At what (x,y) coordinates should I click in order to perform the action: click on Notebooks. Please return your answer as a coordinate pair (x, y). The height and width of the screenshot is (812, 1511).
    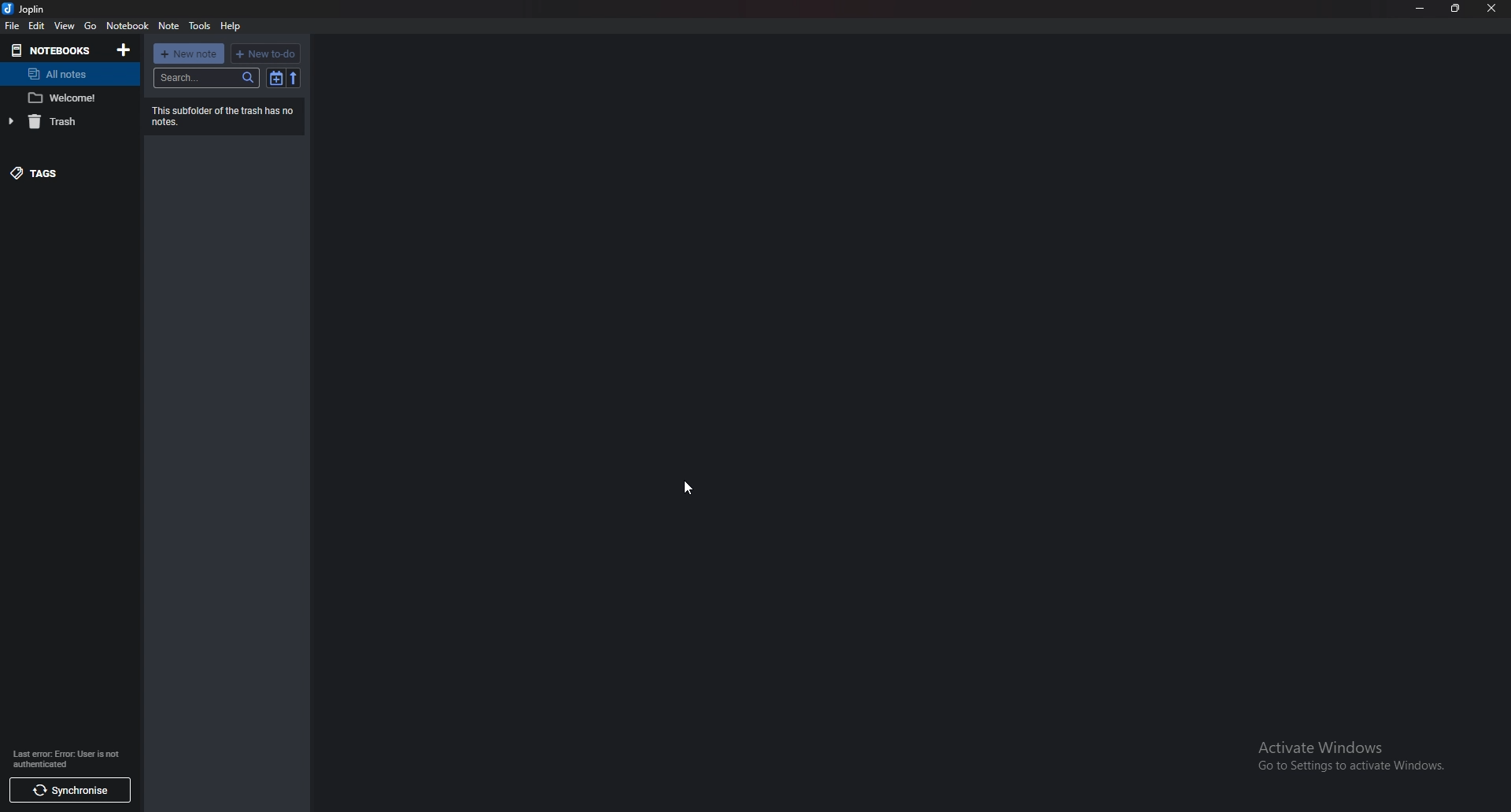
    Looking at the image, I should click on (52, 50).